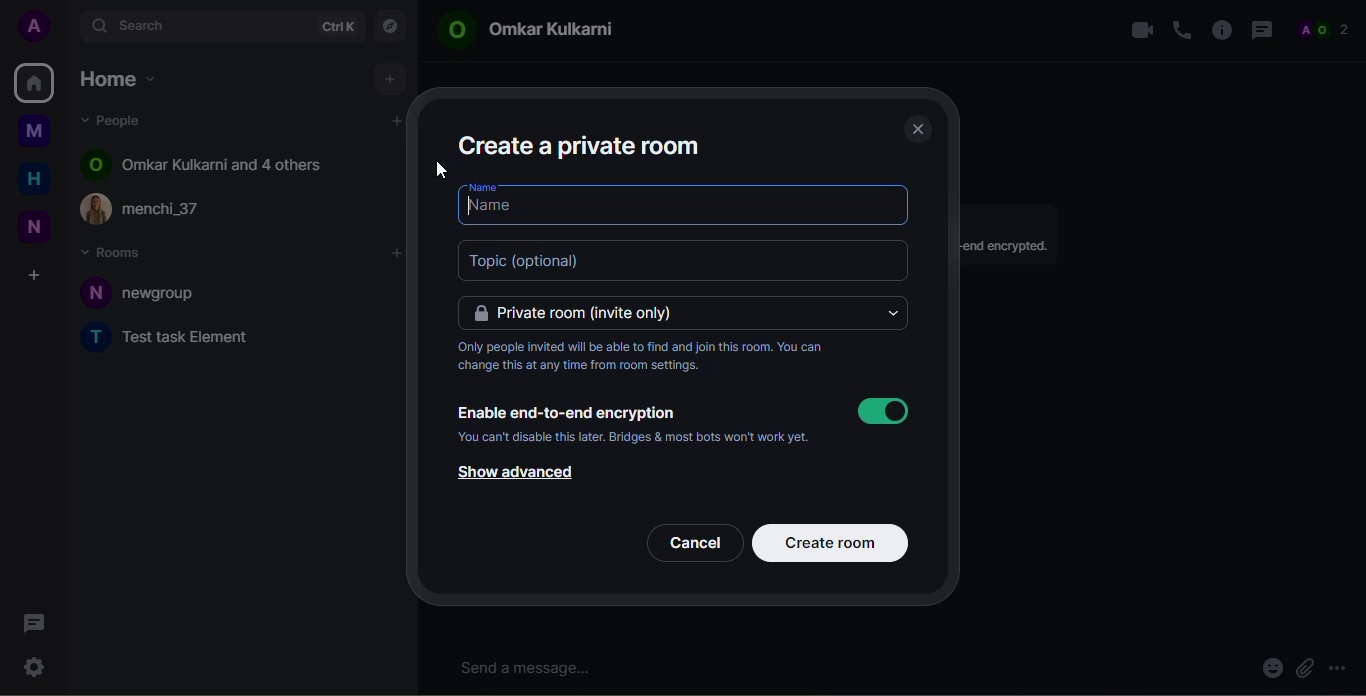  I want to click on cursor, so click(441, 172).